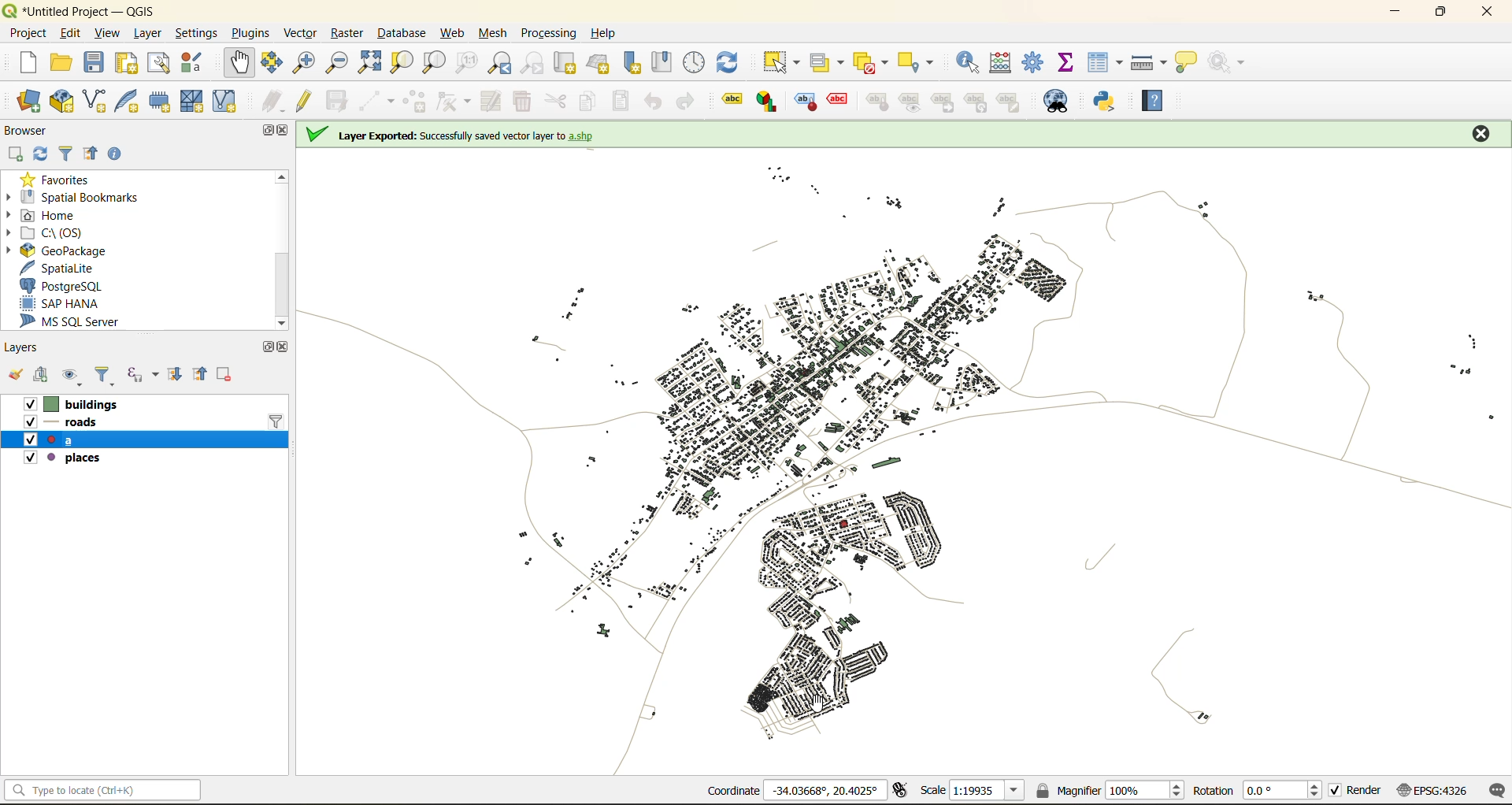 This screenshot has height=805, width=1512. I want to click on log messages, so click(1495, 791).